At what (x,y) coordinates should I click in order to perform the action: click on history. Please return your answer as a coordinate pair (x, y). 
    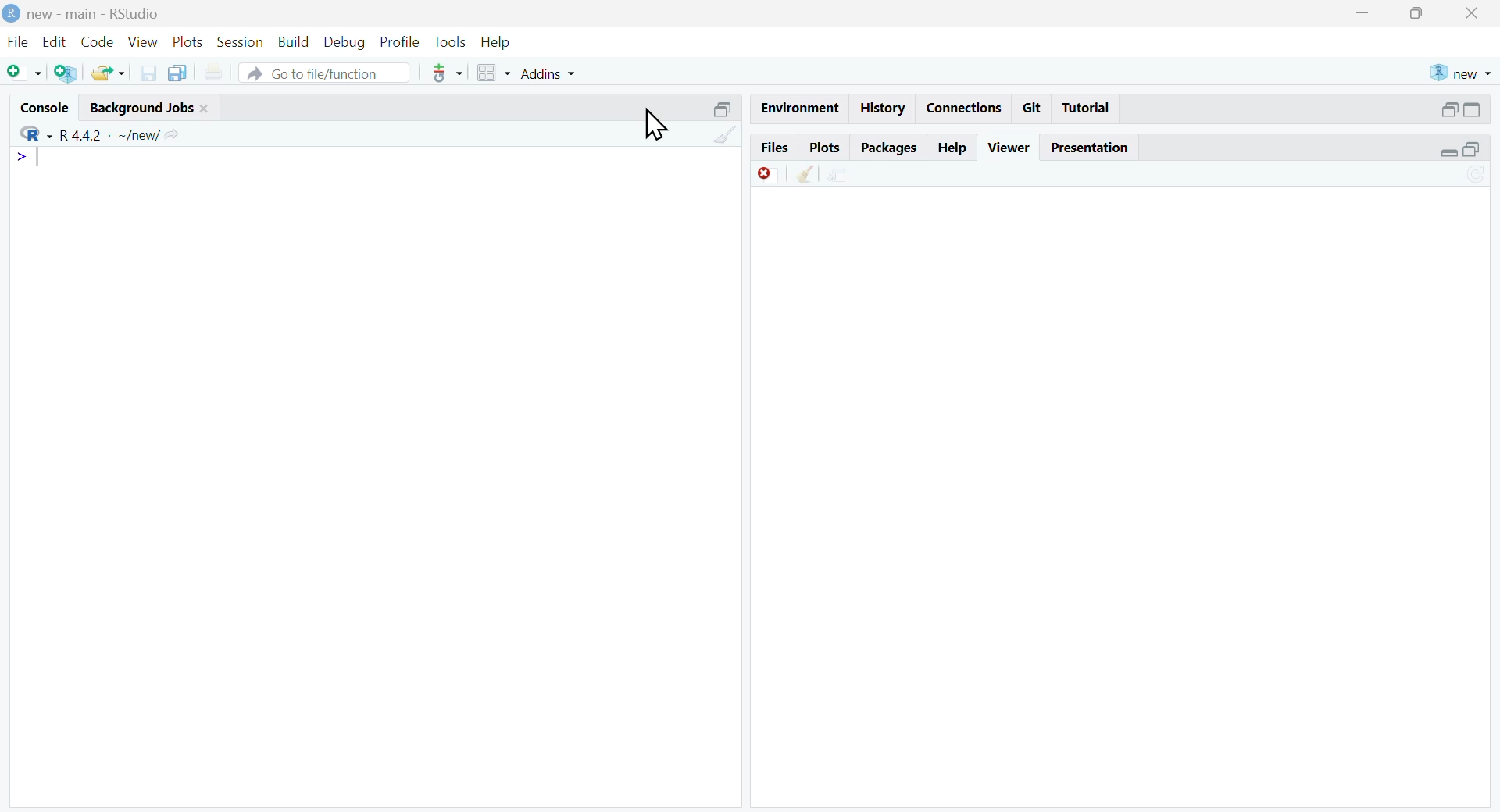
    Looking at the image, I should click on (880, 109).